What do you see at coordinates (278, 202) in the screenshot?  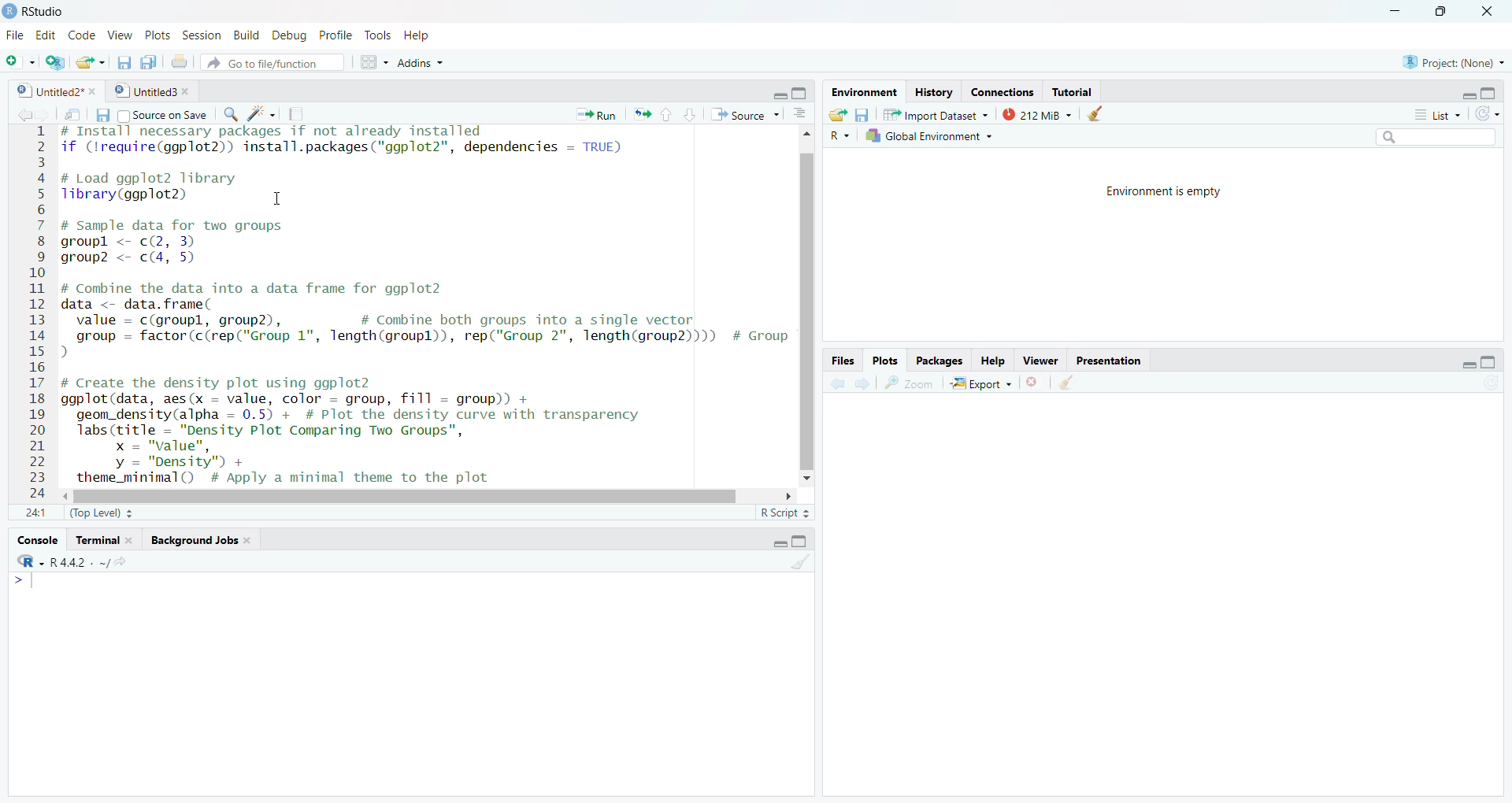 I see `CURSOR` at bounding box center [278, 202].